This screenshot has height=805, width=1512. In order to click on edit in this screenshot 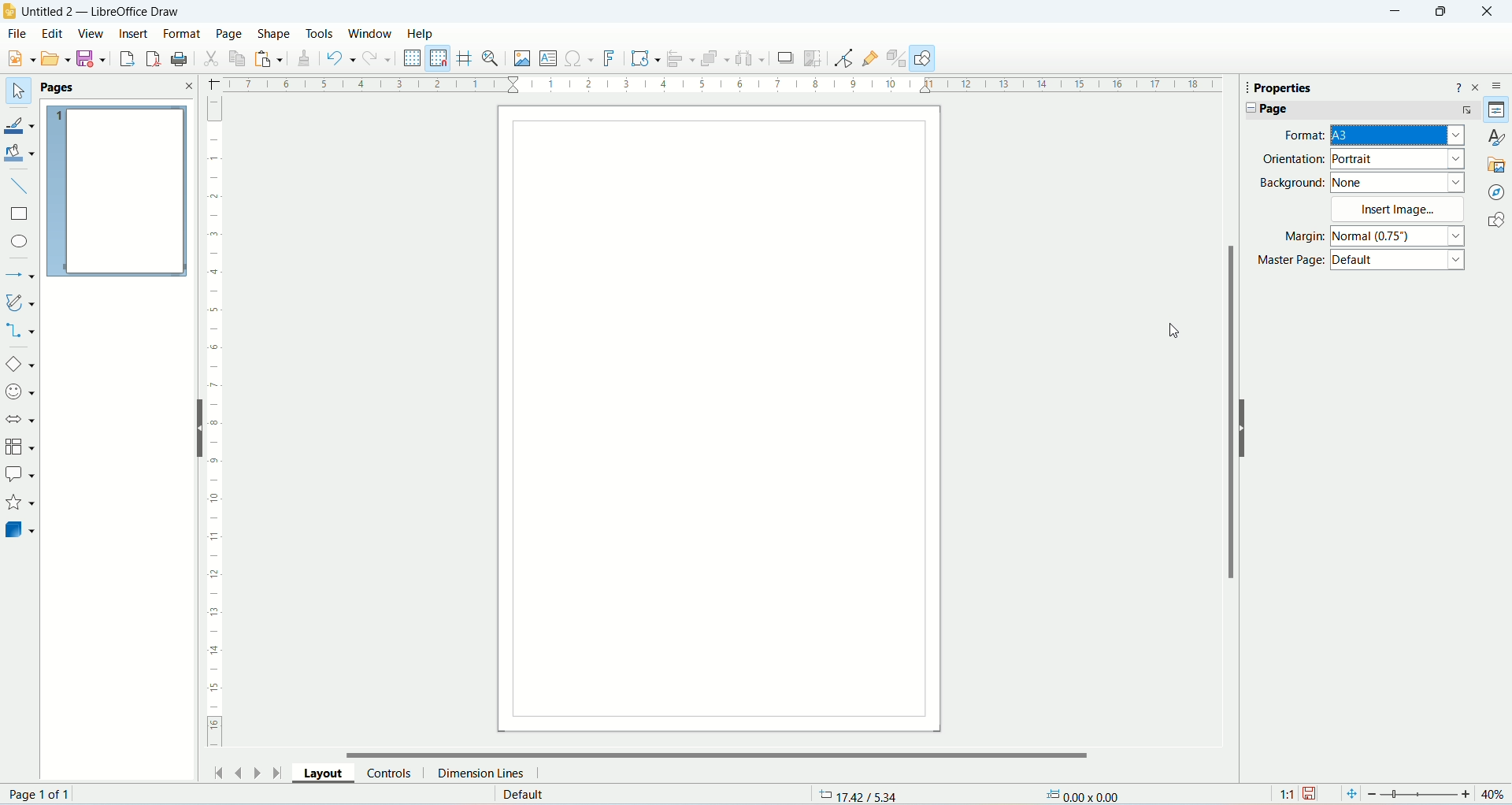, I will do `click(52, 33)`.